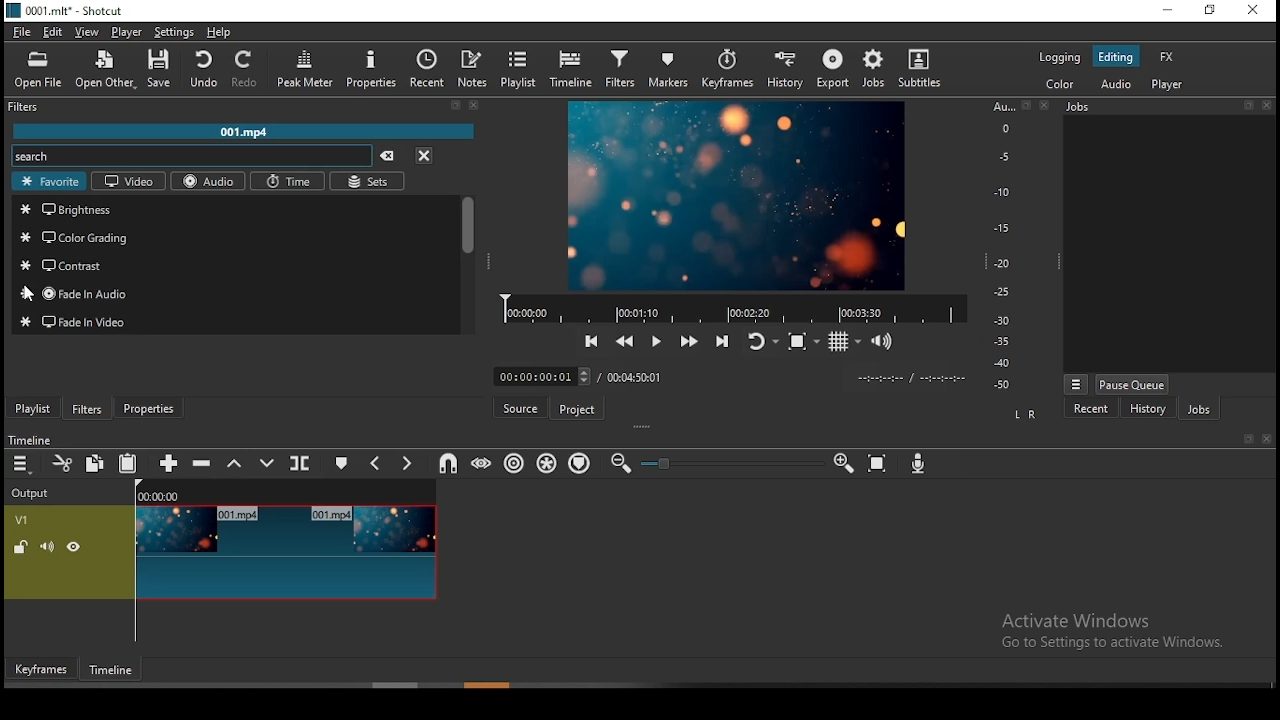 The width and height of the screenshot is (1280, 720). I want to click on color coding, so click(231, 242).